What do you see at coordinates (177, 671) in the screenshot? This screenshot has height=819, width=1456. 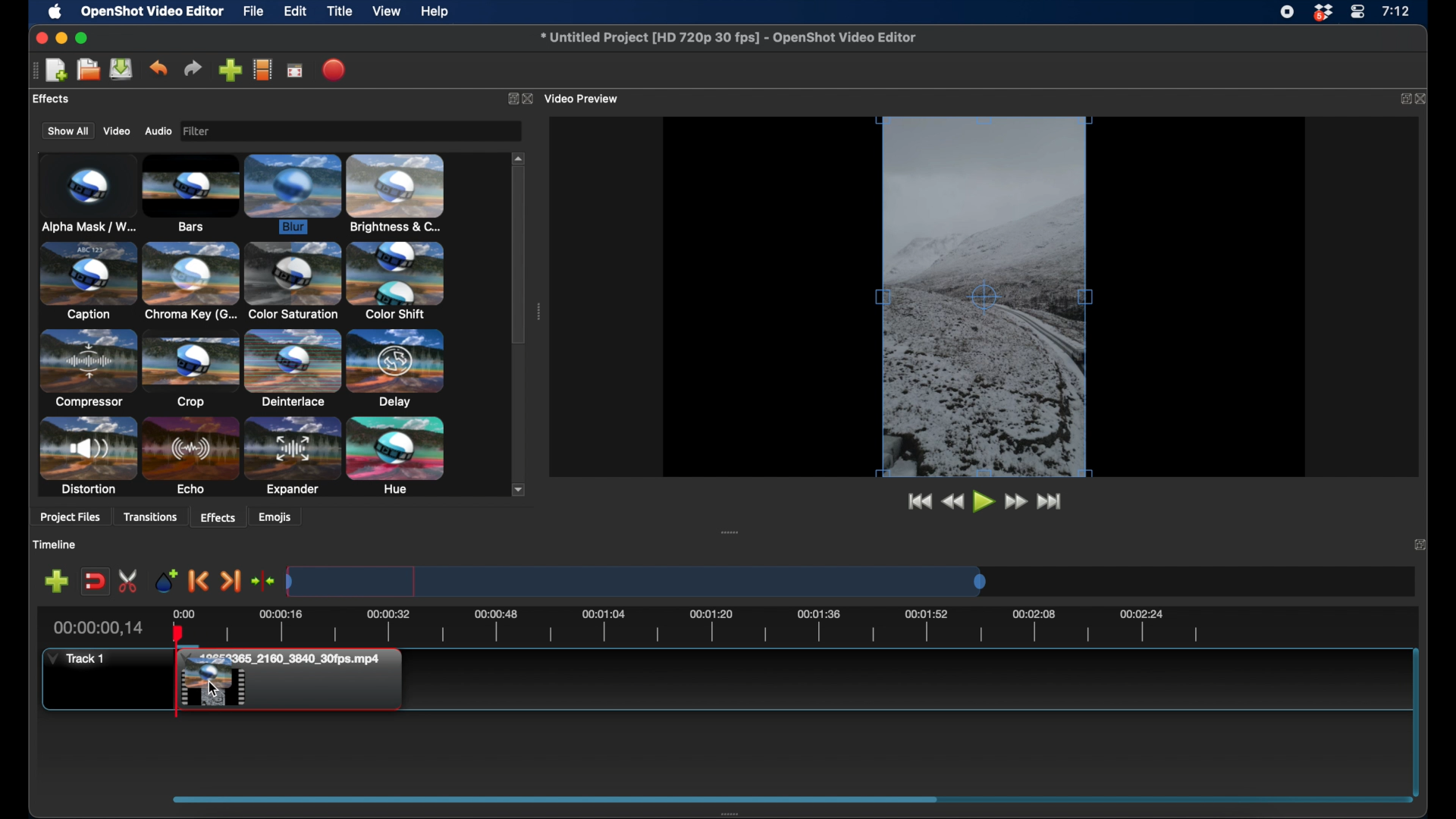 I see `playhead` at bounding box center [177, 671].